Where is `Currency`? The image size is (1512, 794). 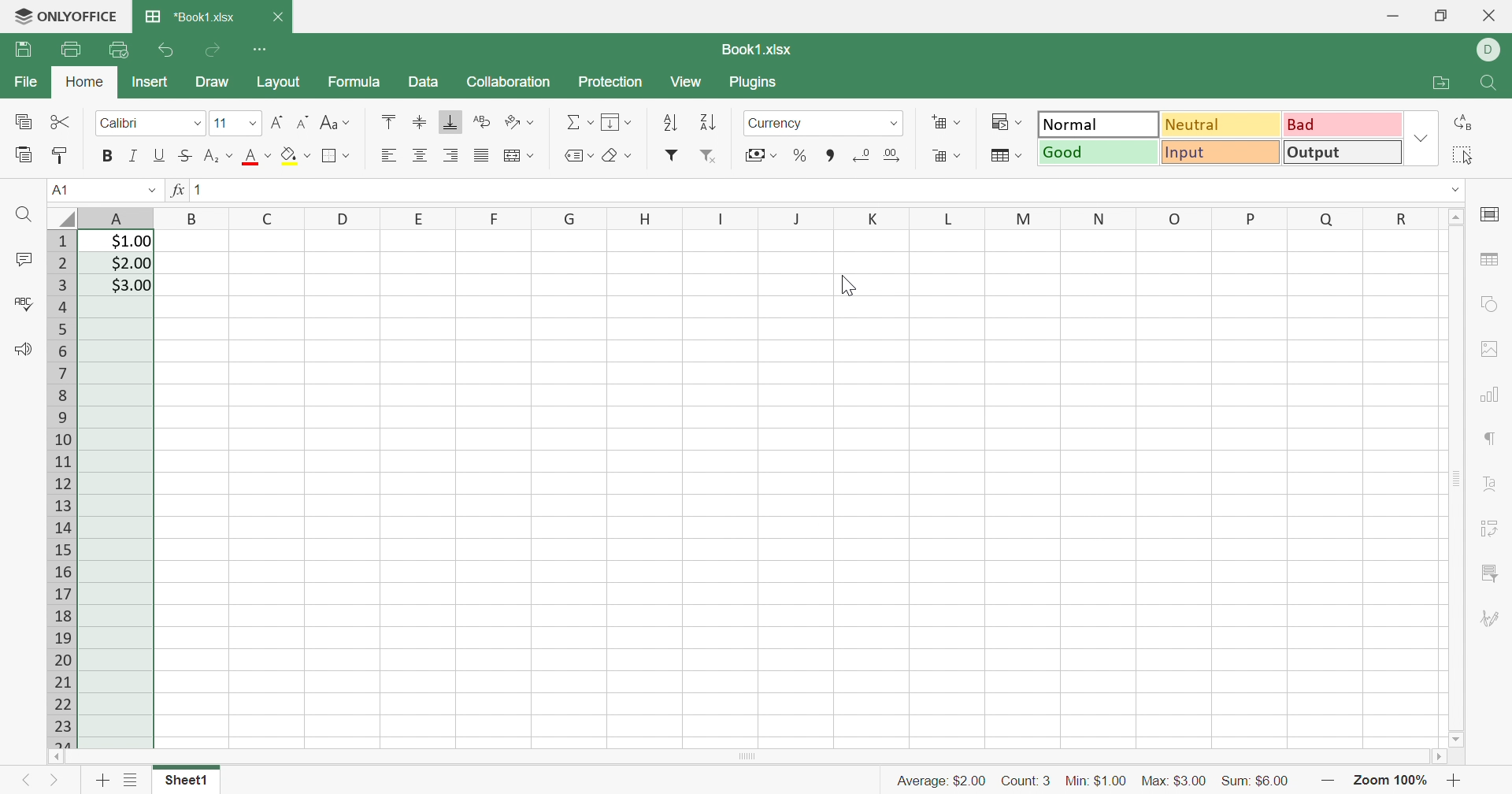
Currency is located at coordinates (778, 123).